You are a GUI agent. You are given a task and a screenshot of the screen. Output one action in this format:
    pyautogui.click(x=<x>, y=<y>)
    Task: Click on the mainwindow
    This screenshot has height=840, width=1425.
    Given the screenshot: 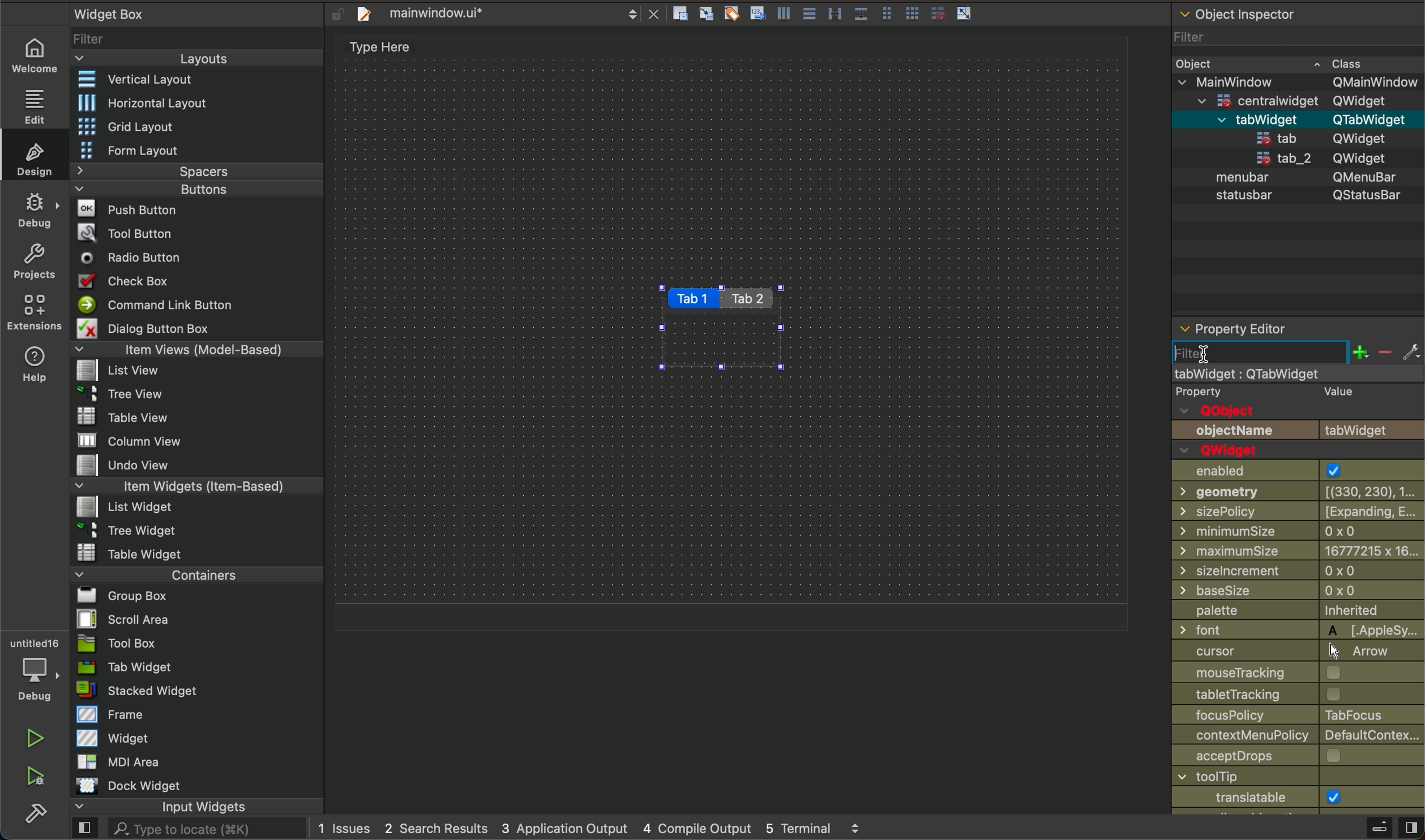 What is the action you would take?
    pyautogui.click(x=1300, y=373)
    